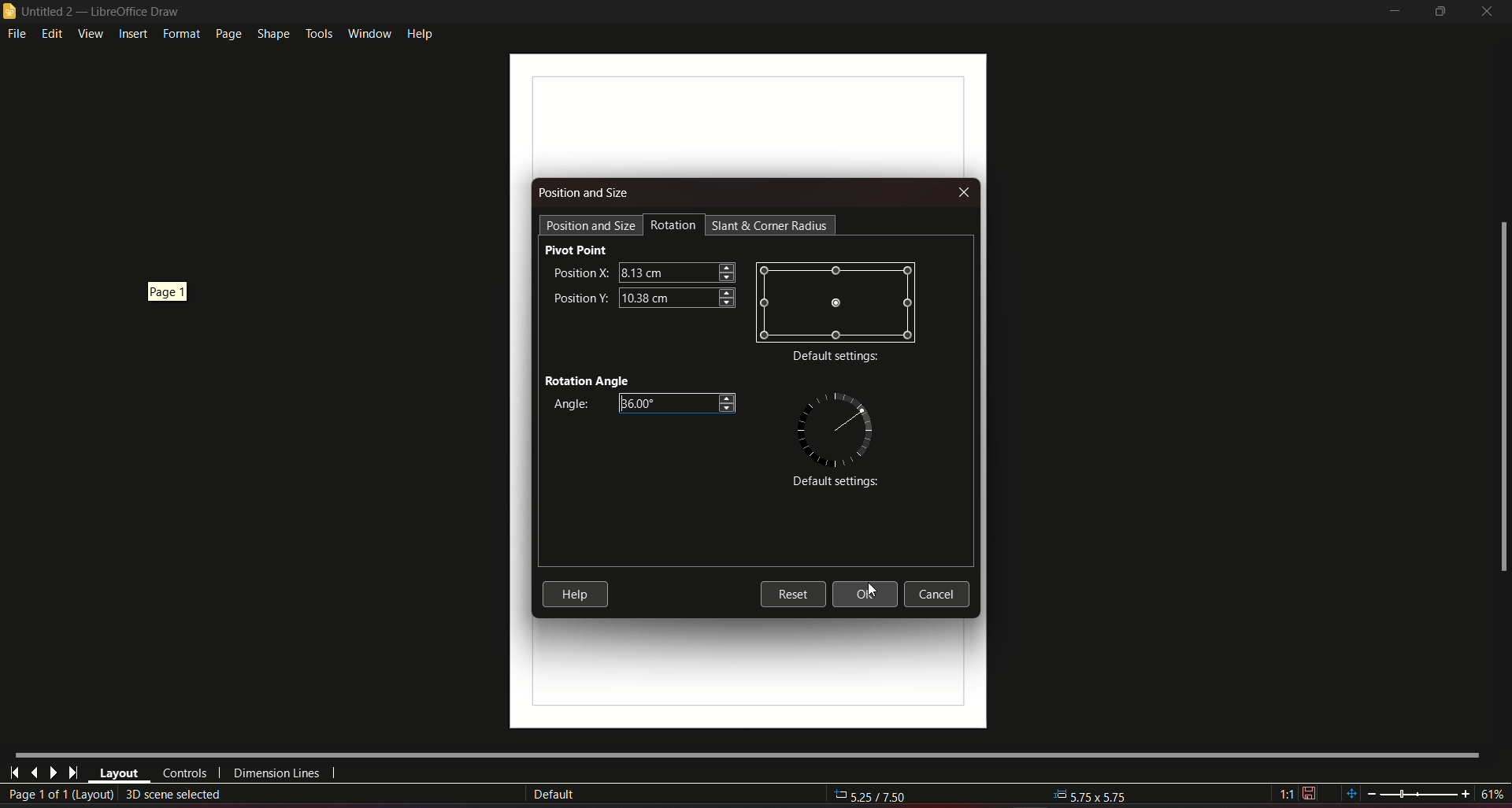 This screenshot has height=808, width=1512. I want to click on 1:1, so click(1298, 794).